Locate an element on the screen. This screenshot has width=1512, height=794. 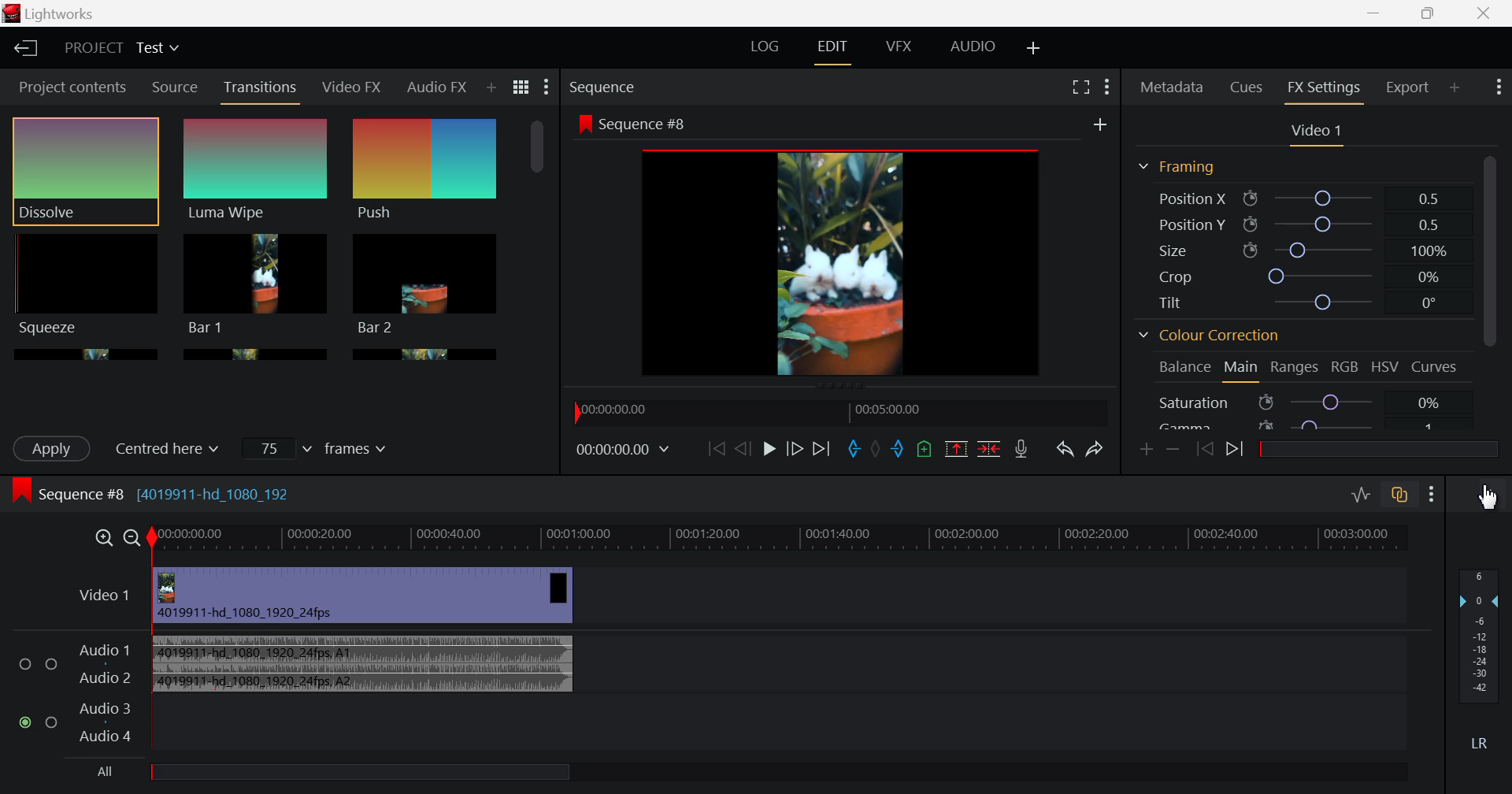
Sequence Preview Screen is located at coordinates (844, 247).